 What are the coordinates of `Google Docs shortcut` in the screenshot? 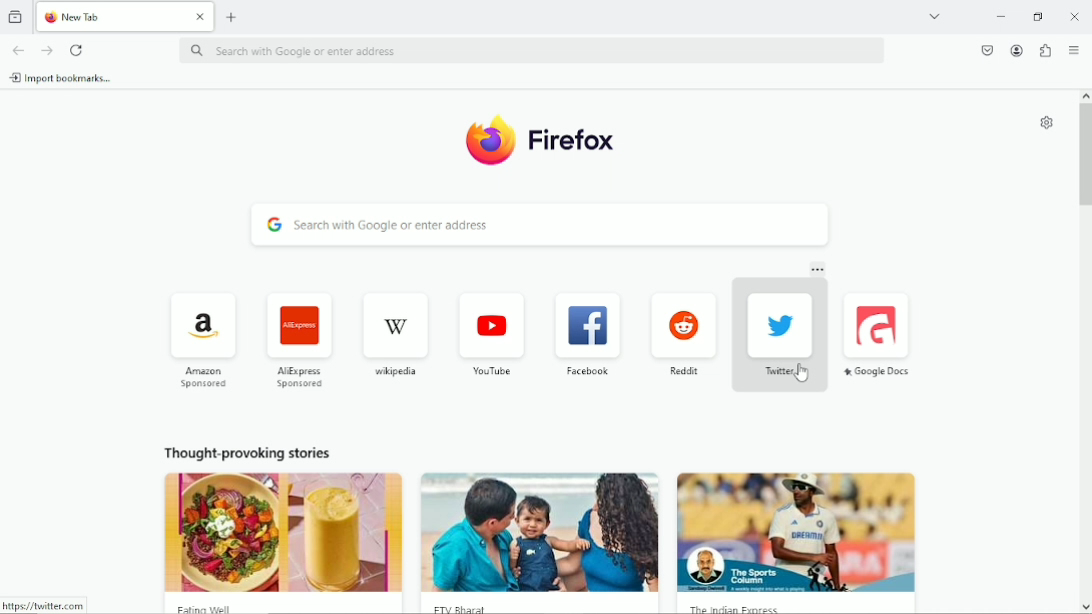 It's located at (880, 334).